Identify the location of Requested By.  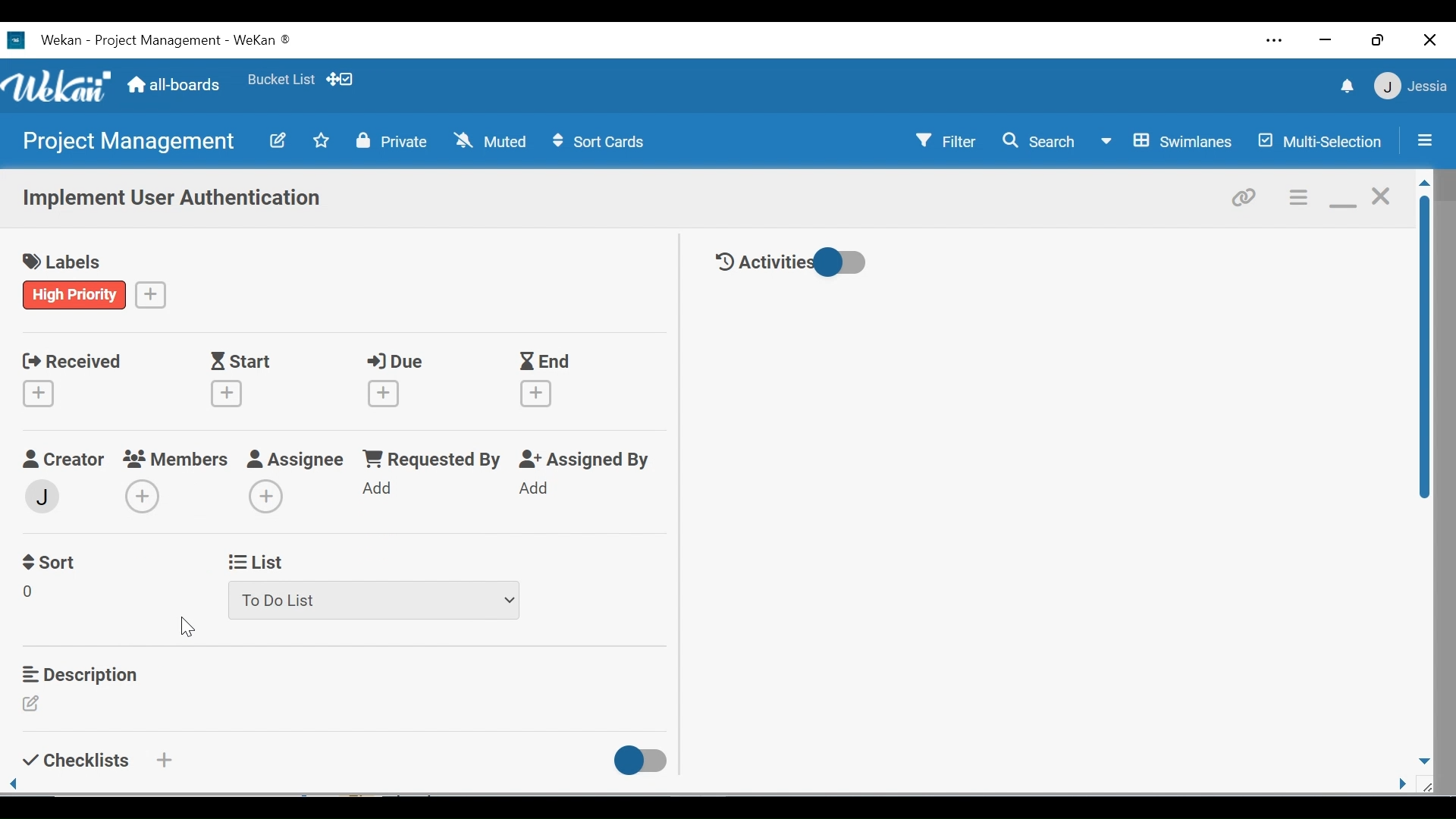
(433, 459).